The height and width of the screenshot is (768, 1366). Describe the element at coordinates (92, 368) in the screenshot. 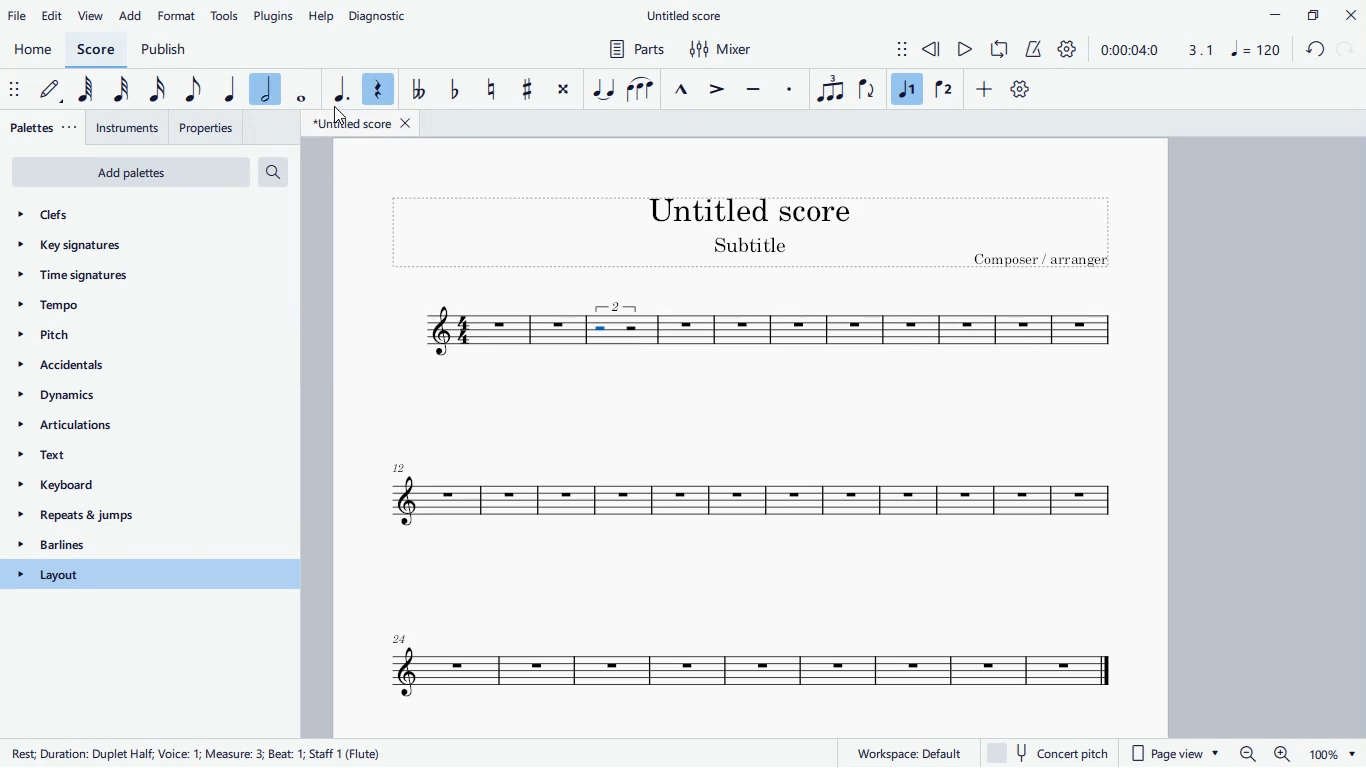

I see `accidentals` at that location.